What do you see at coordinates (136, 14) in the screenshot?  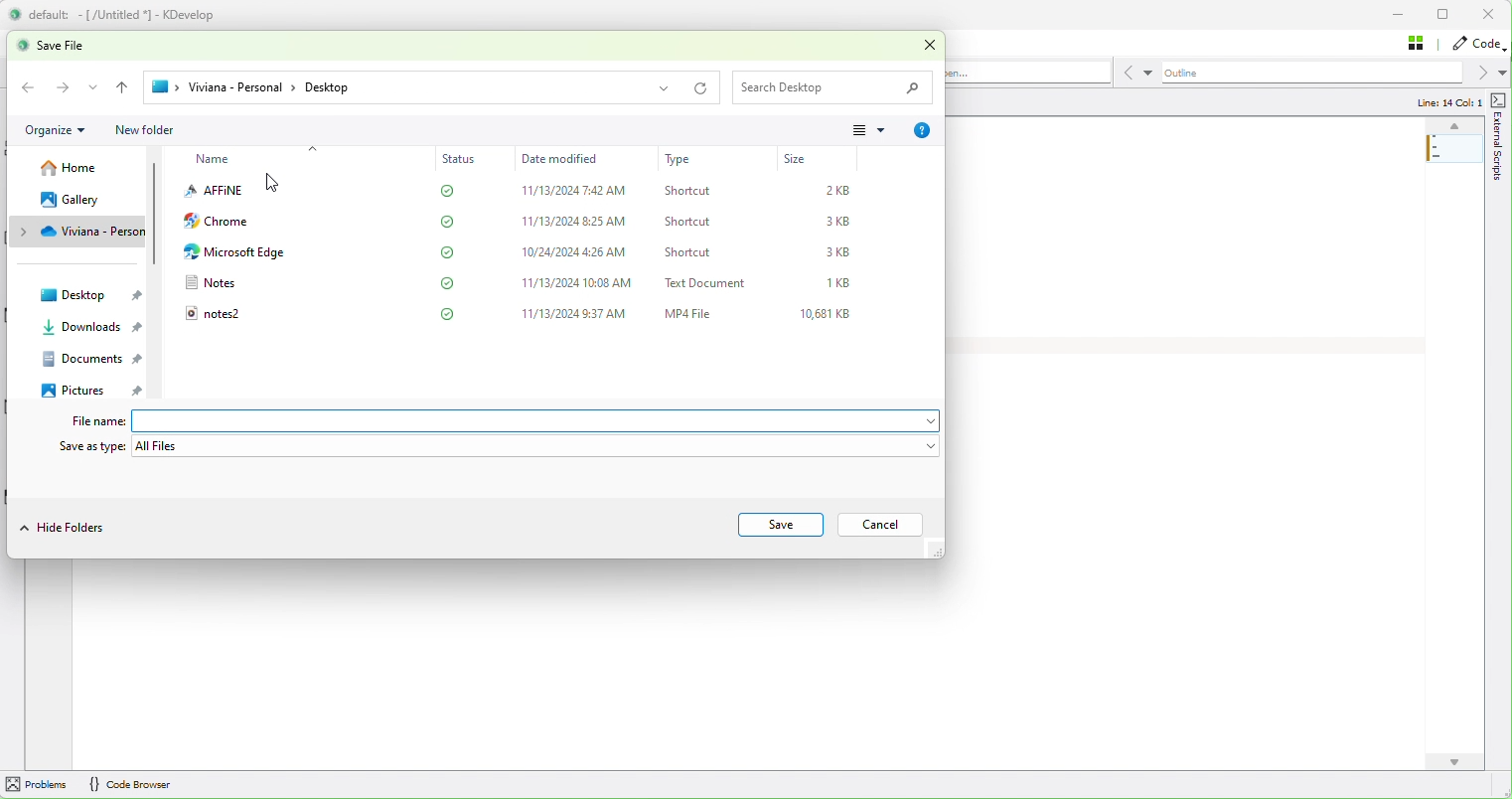 I see `default: - [ /Untitled *] - KDevelop` at bounding box center [136, 14].